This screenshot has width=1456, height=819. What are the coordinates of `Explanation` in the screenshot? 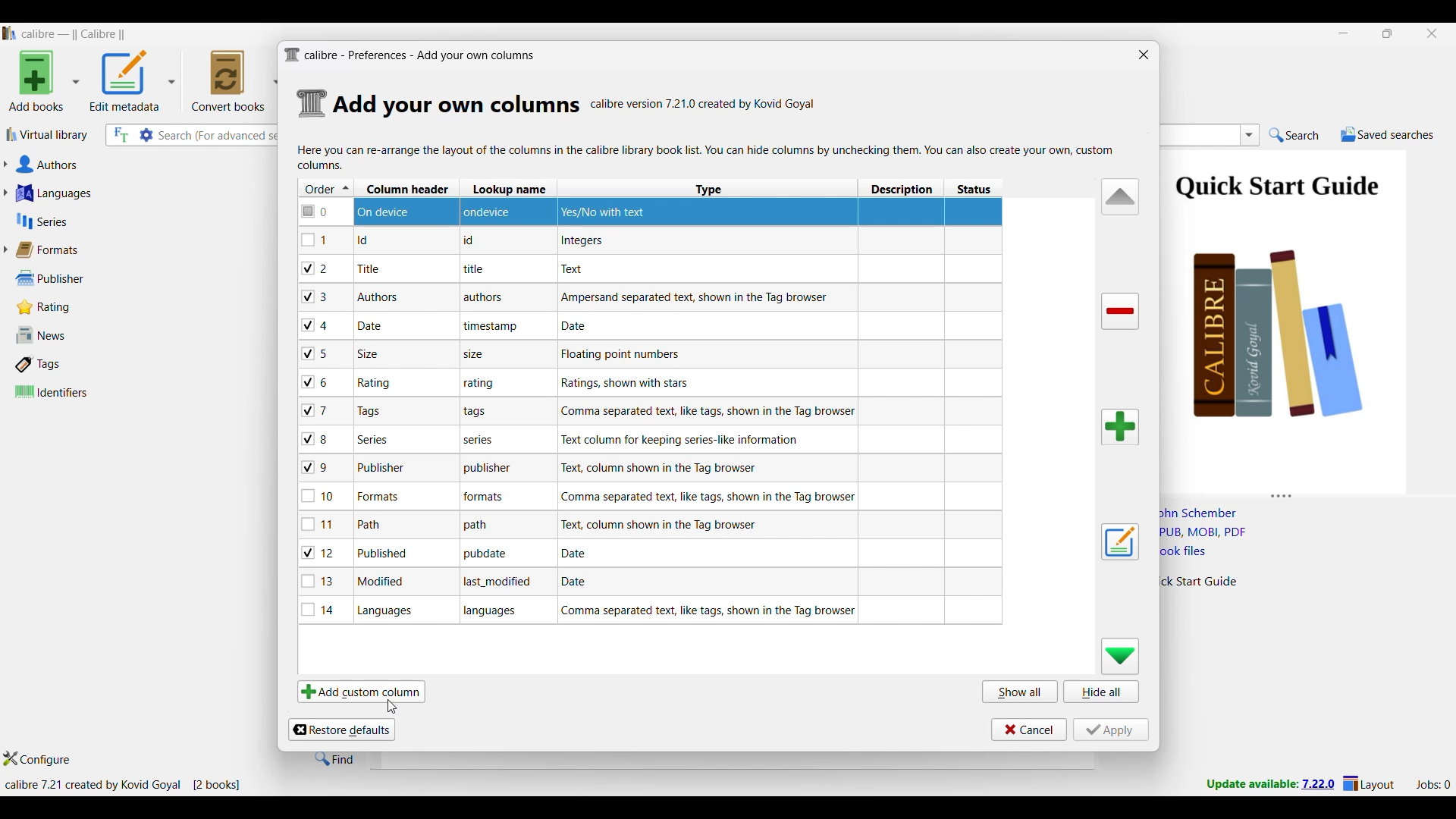 It's located at (582, 552).